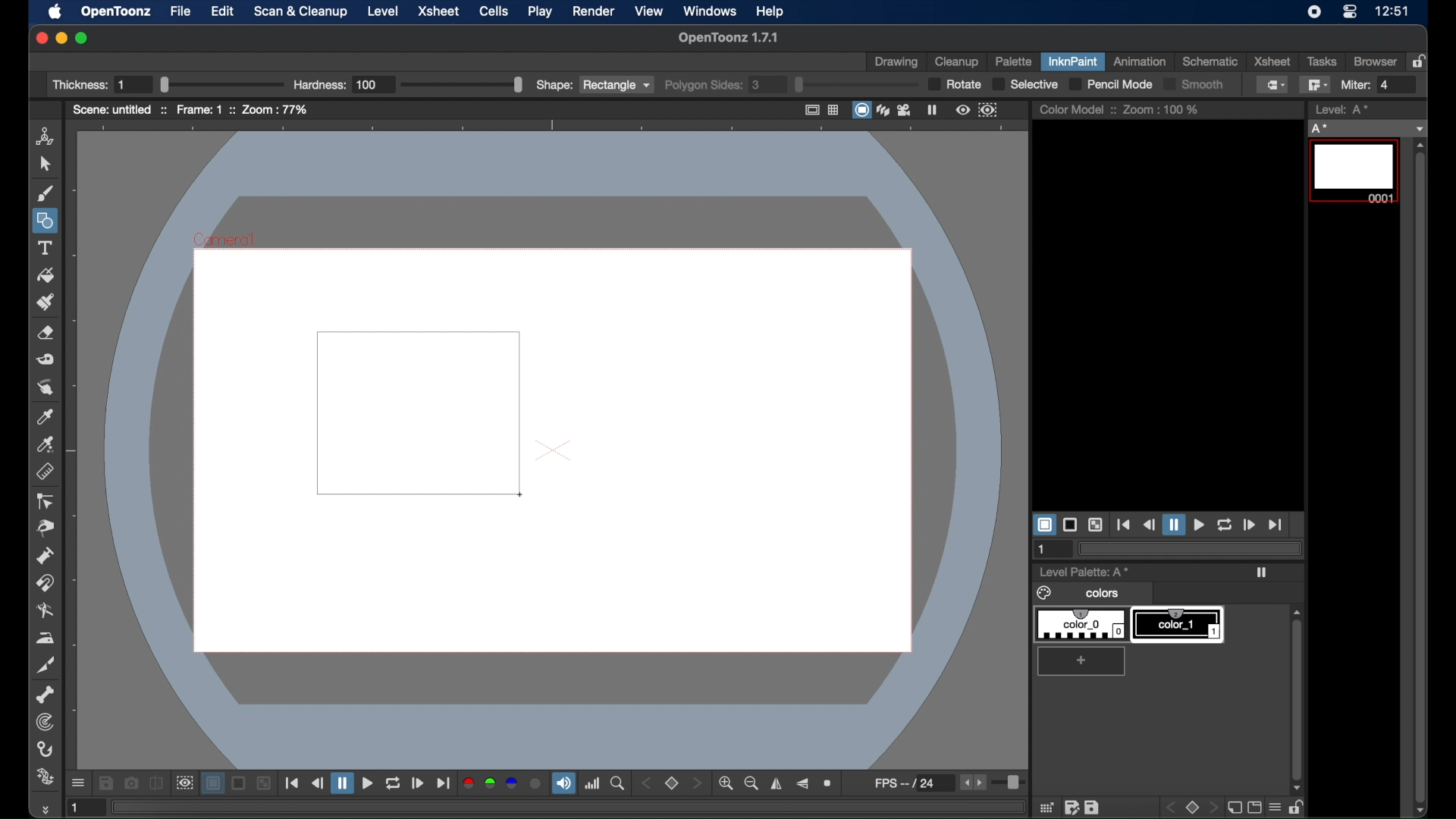 The width and height of the screenshot is (1456, 819). What do you see at coordinates (563, 783) in the screenshot?
I see `volume` at bounding box center [563, 783].